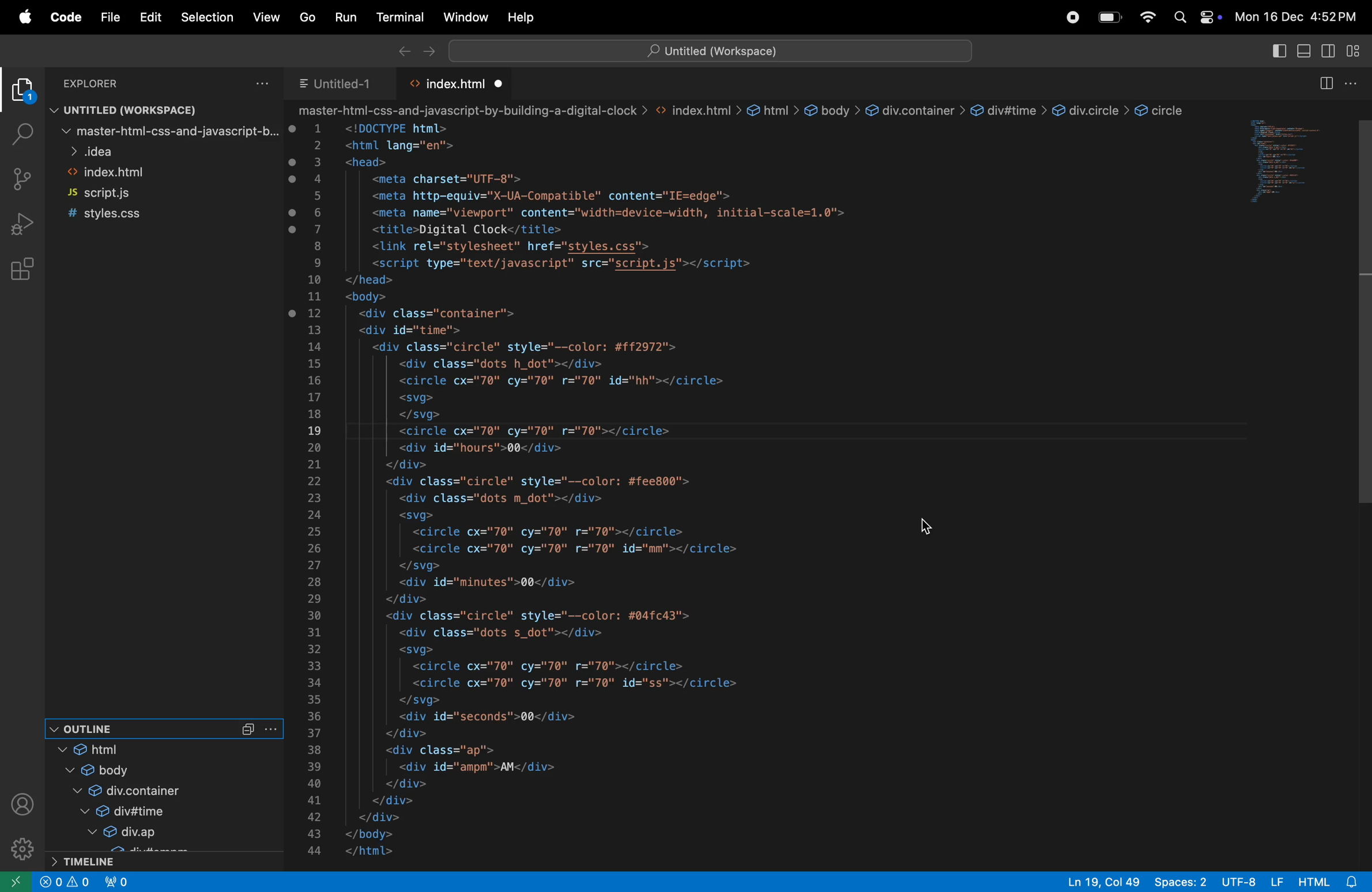 The width and height of the screenshot is (1372, 892). I want to click on search bar, so click(715, 50).